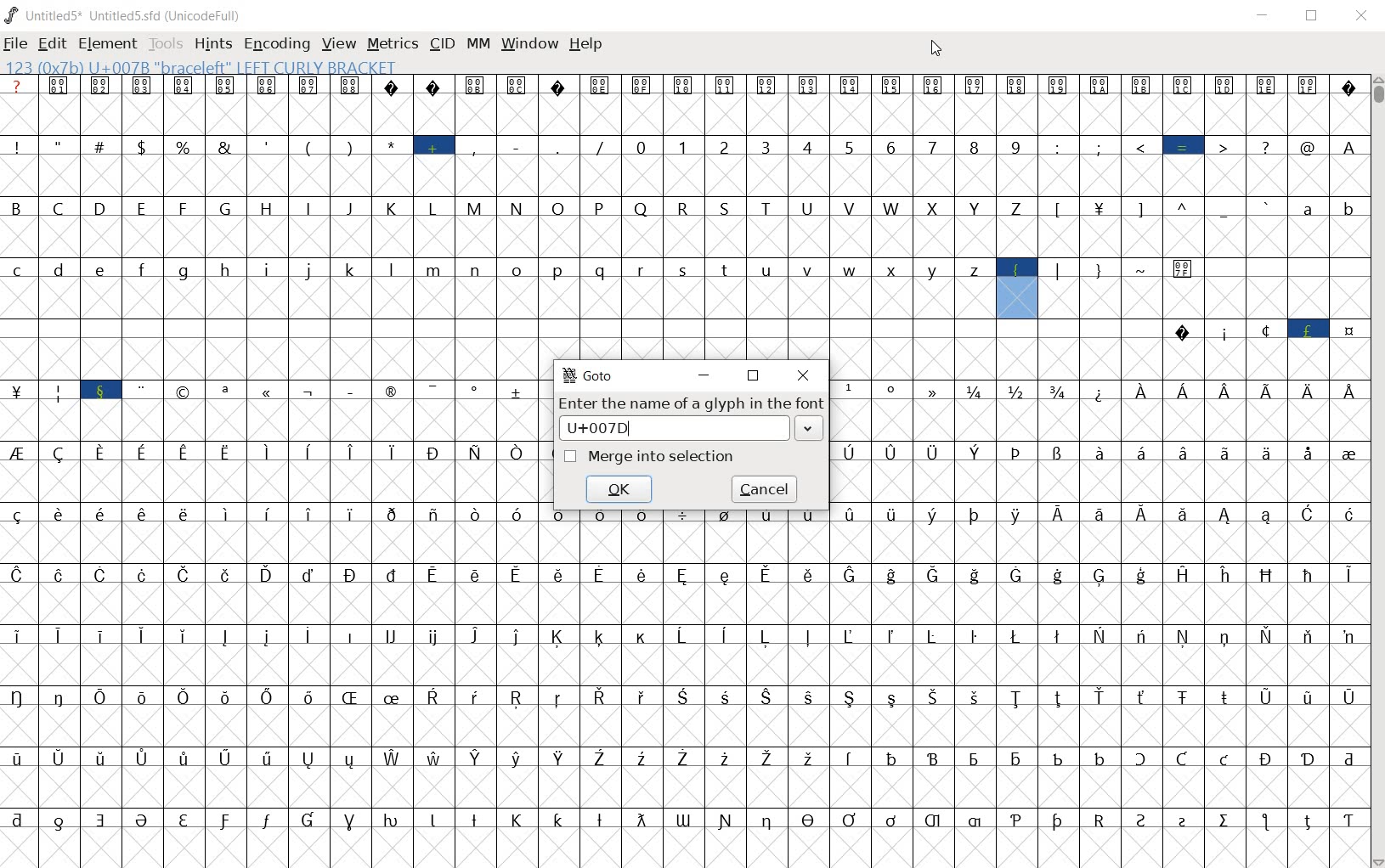 This screenshot has width=1385, height=868. Describe the element at coordinates (653, 458) in the screenshot. I see `Merge into selection` at that location.